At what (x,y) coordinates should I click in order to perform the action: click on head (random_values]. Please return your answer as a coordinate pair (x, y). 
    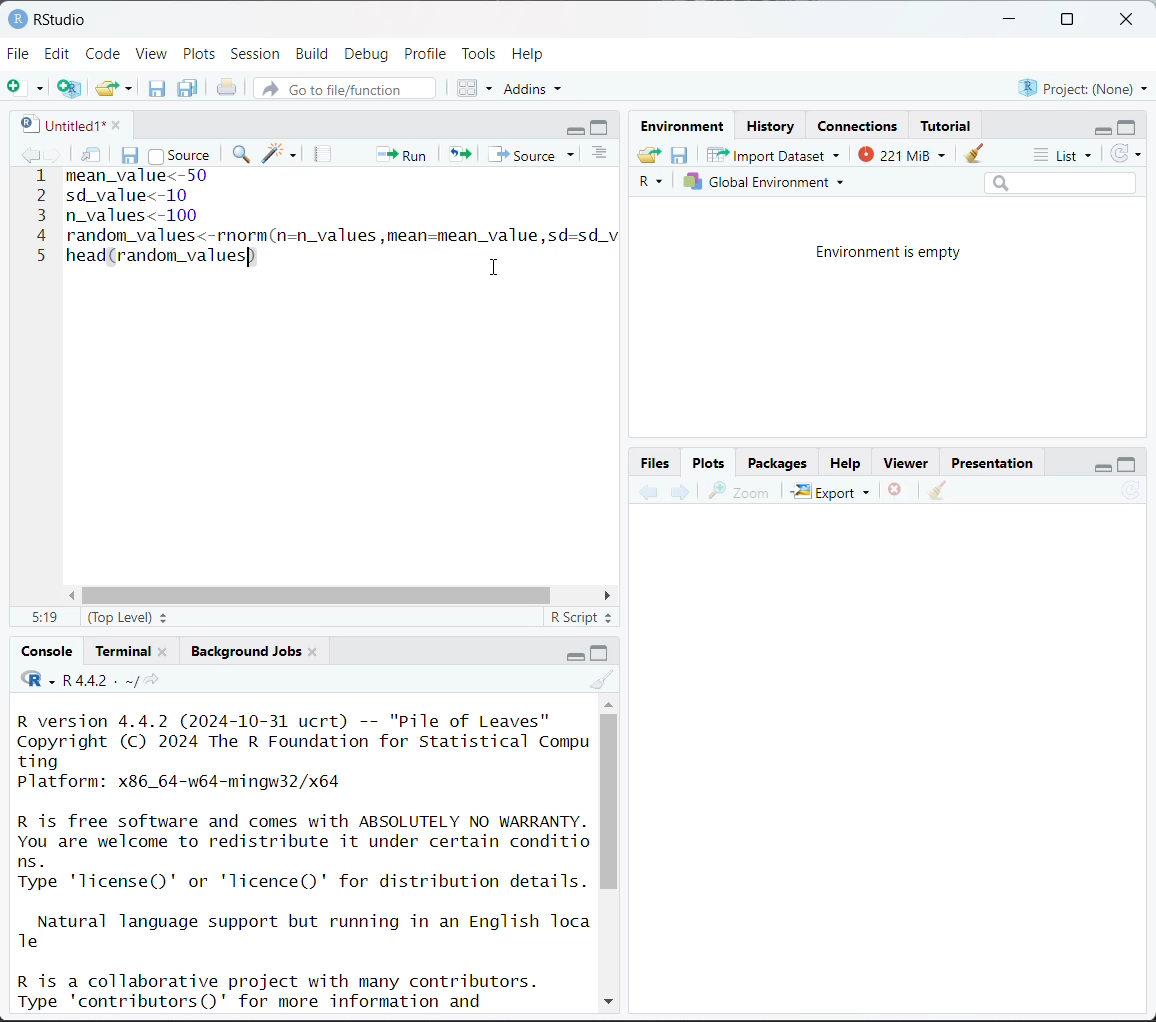
    Looking at the image, I should click on (161, 262).